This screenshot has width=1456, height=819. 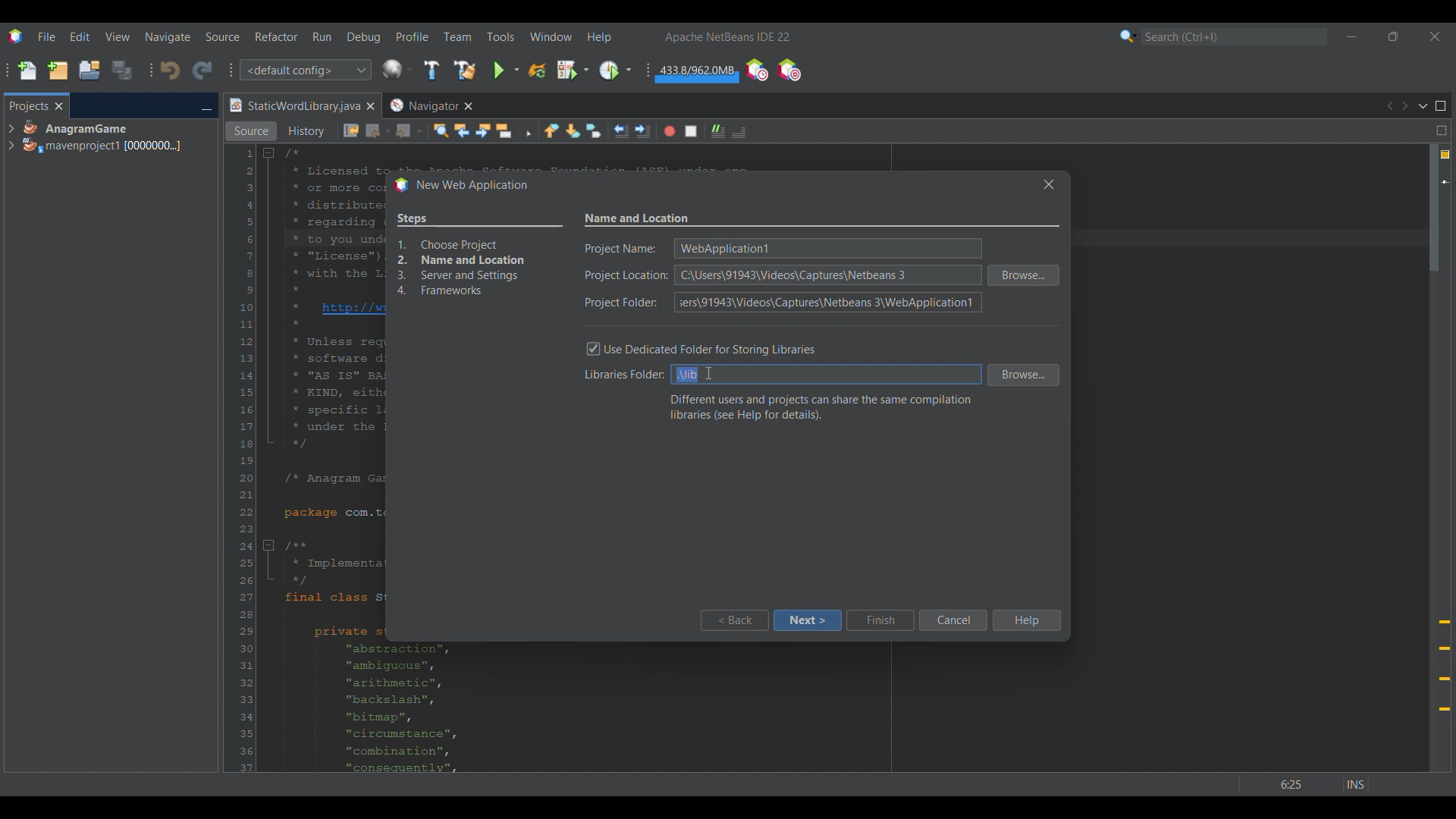 What do you see at coordinates (364, 37) in the screenshot?
I see `Debug menu` at bounding box center [364, 37].